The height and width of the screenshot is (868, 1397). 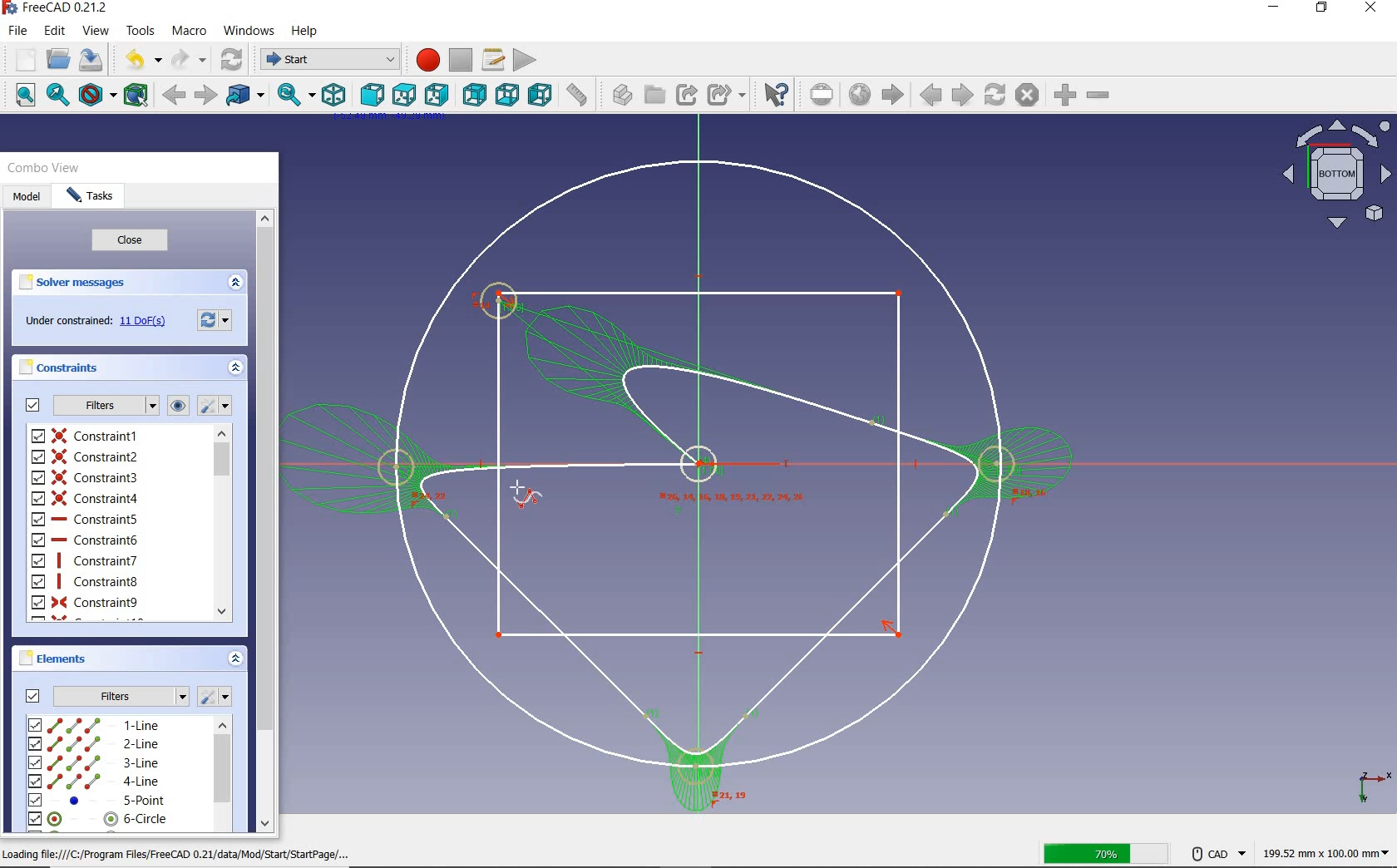 I want to click on start page, so click(x=893, y=95).